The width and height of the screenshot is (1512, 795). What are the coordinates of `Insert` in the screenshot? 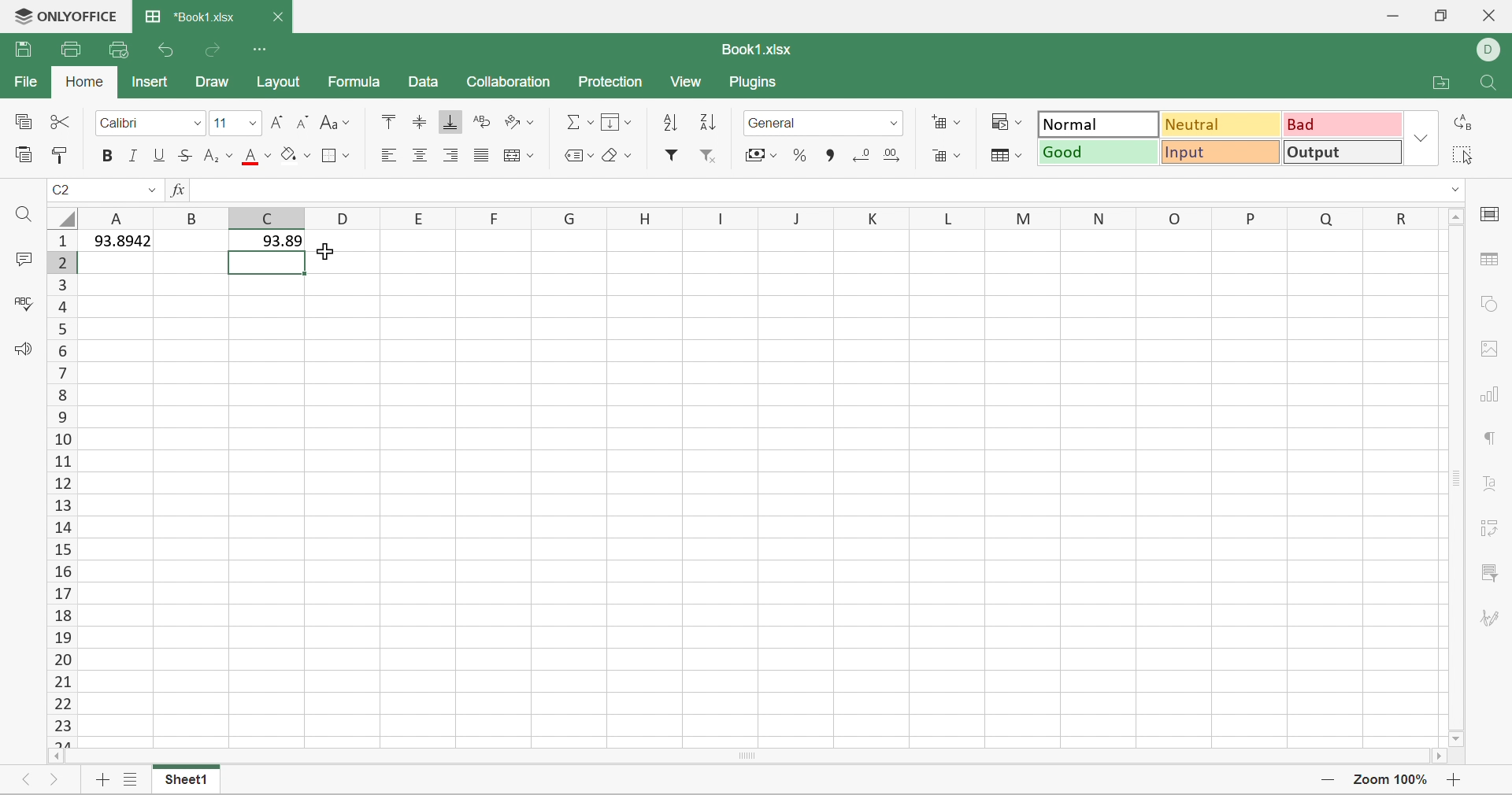 It's located at (150, 81).